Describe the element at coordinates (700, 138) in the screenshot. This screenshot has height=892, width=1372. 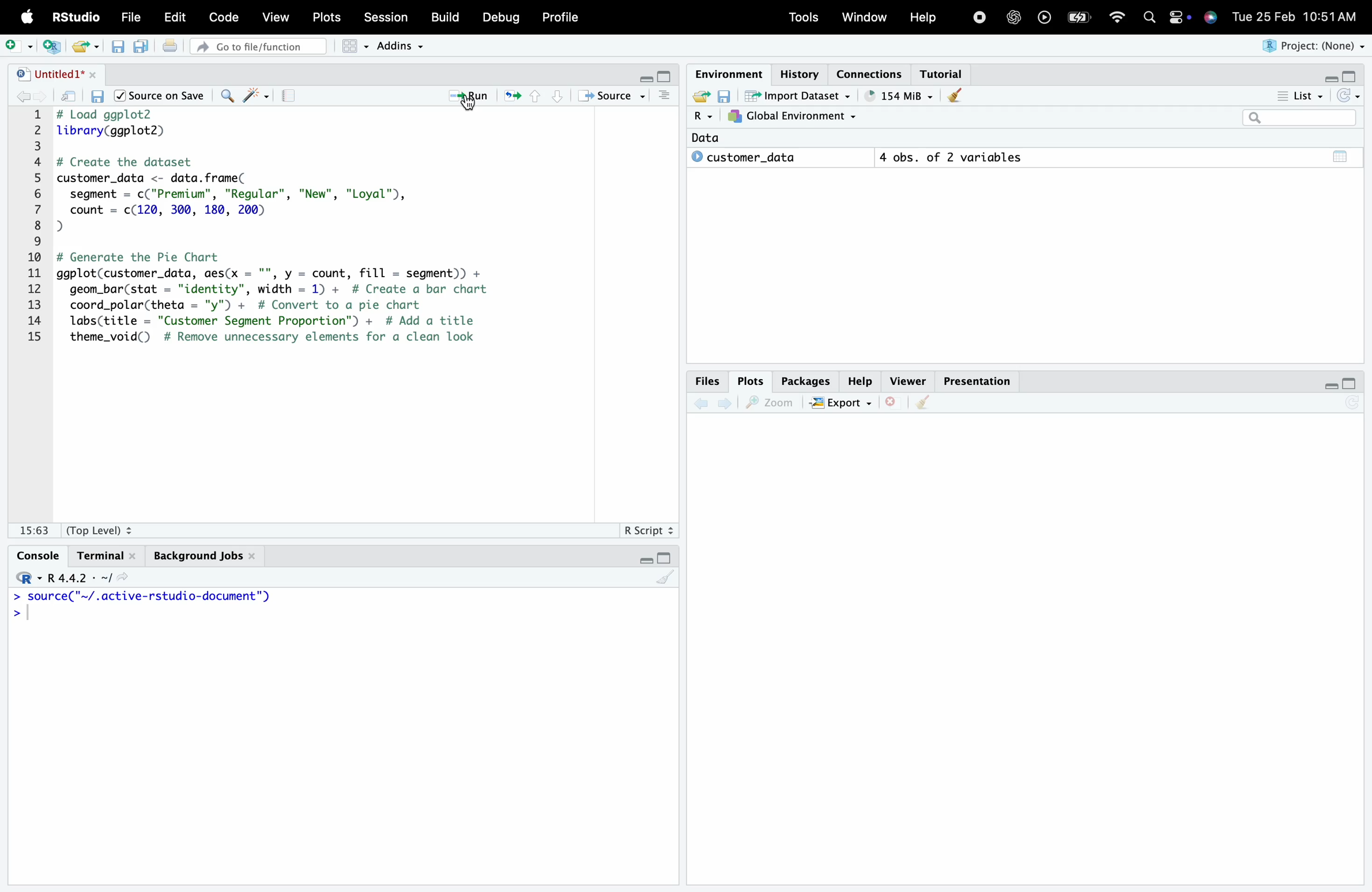
I see `Data` at that location.